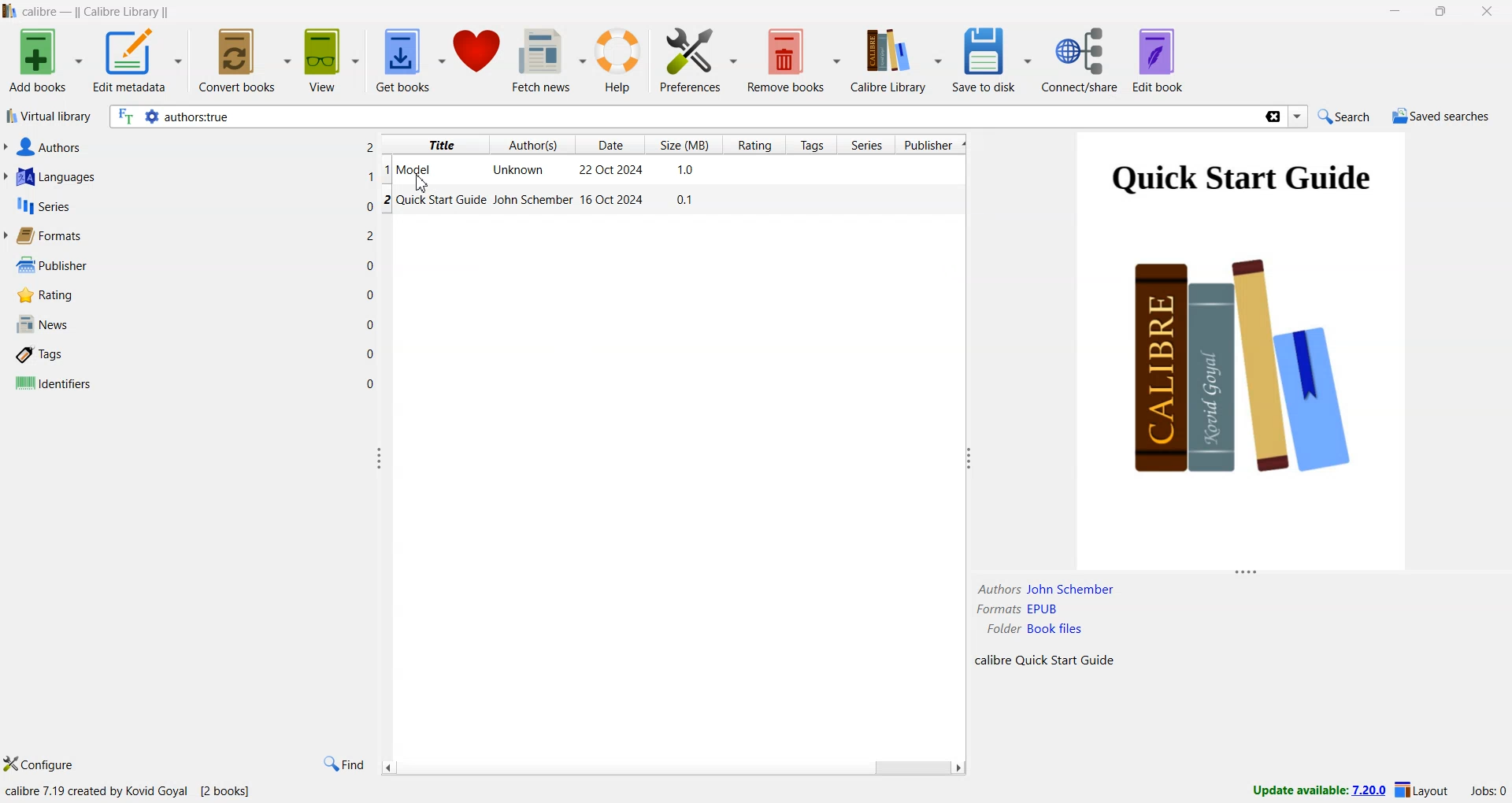 This screenshot has width=1512, height=803. What do you see at coordinates (42, 12) in the screenshot?
I see `app name` at bounding box center [42, 12].